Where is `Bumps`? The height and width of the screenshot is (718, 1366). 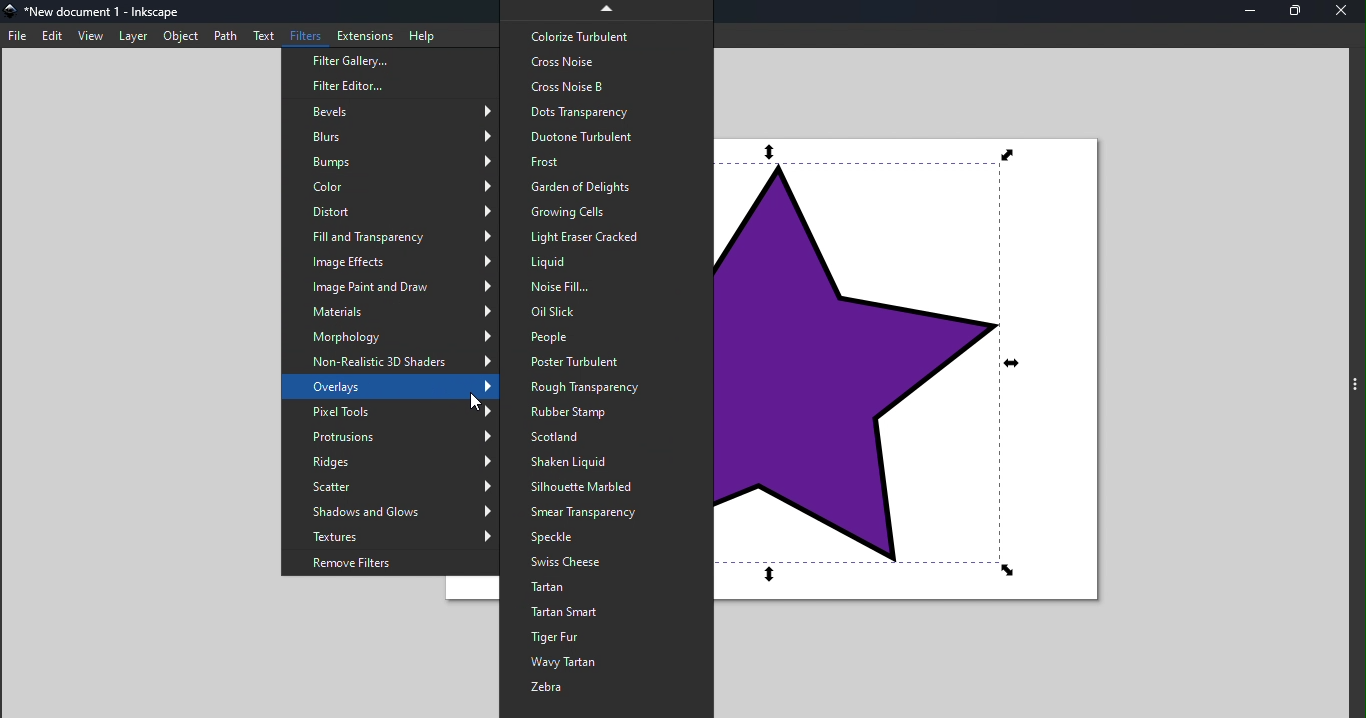 Bumps is located at coordinates (389, 161).